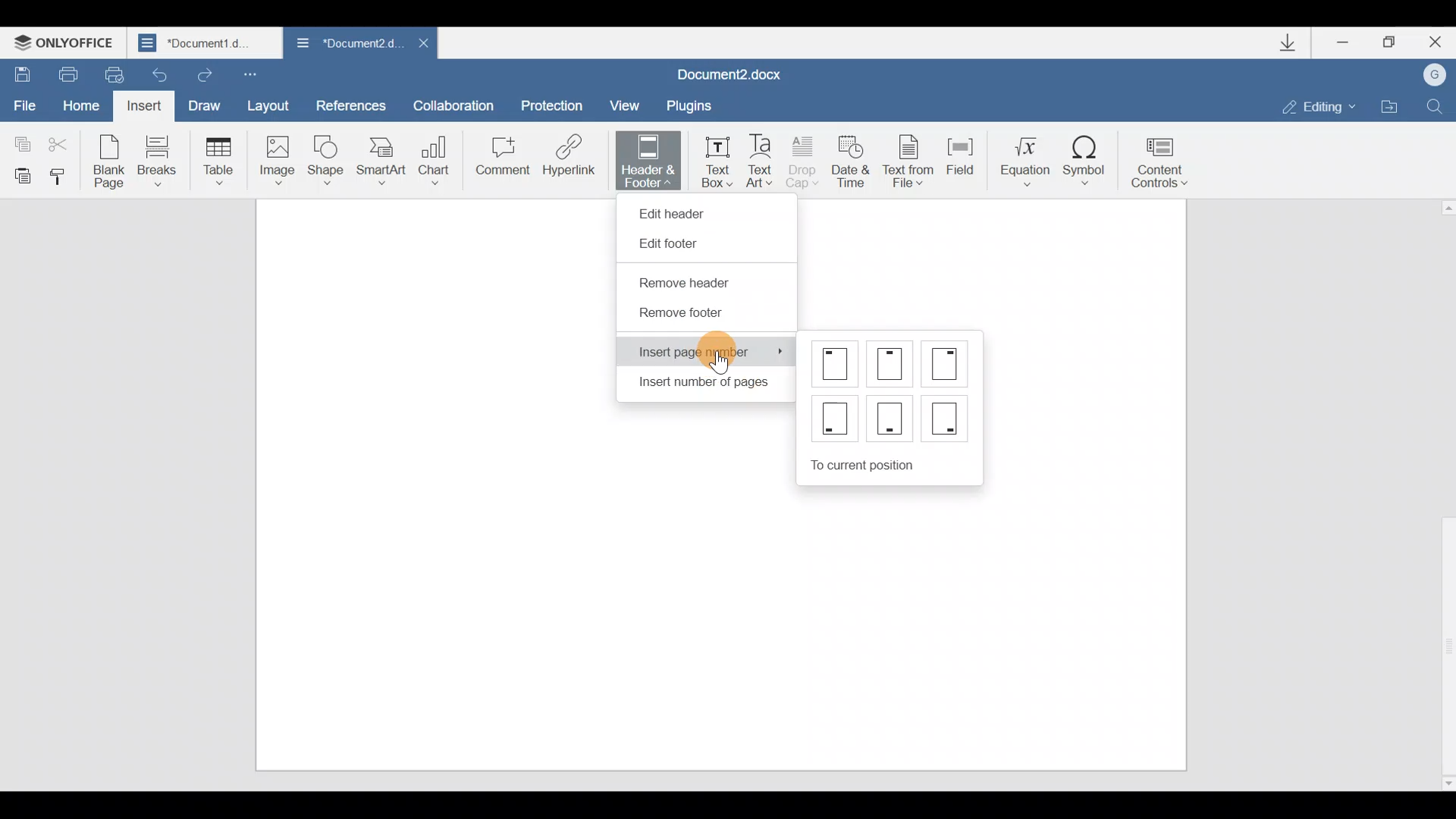 This screenshot has height=819, width=1456. Describe the element at coordinates (215, 160) in the screenshot. I see `Table` at that location.